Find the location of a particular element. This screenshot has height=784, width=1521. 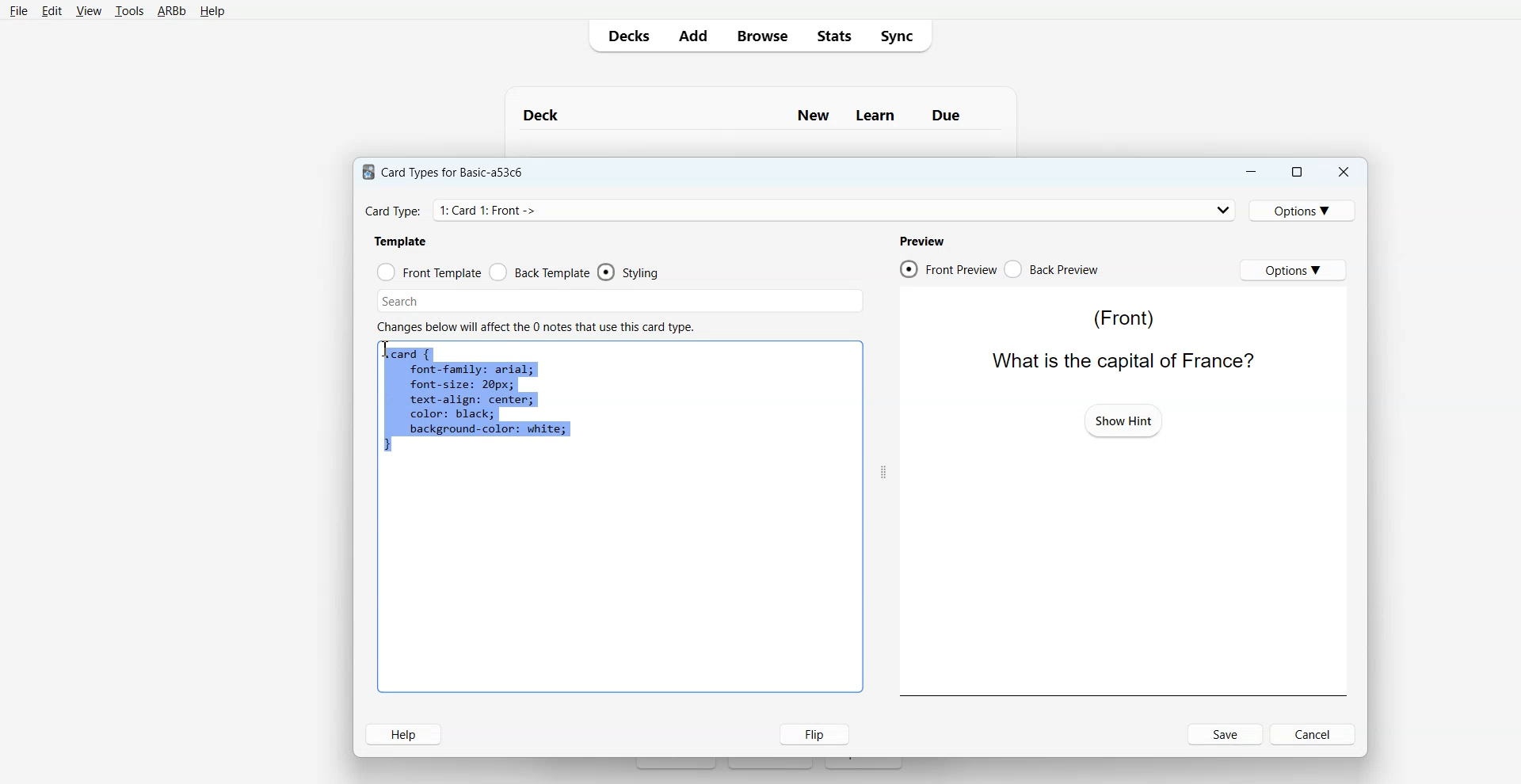

Card Type: 1: Card 1: Front -> Back is located at coordinates (509, 210).